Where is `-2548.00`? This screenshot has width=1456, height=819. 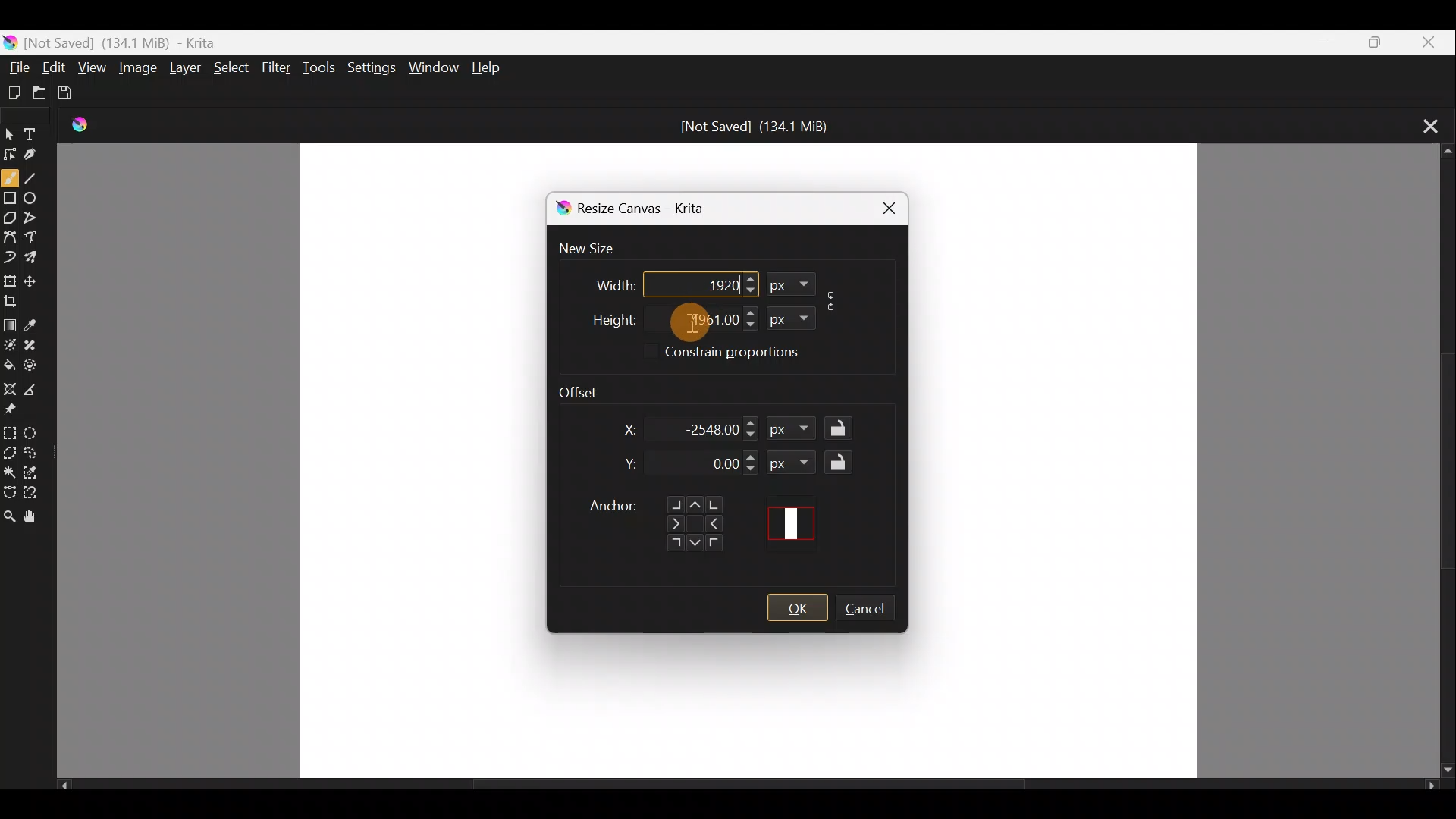
-2548.00 is located at coordinates (710, 428).